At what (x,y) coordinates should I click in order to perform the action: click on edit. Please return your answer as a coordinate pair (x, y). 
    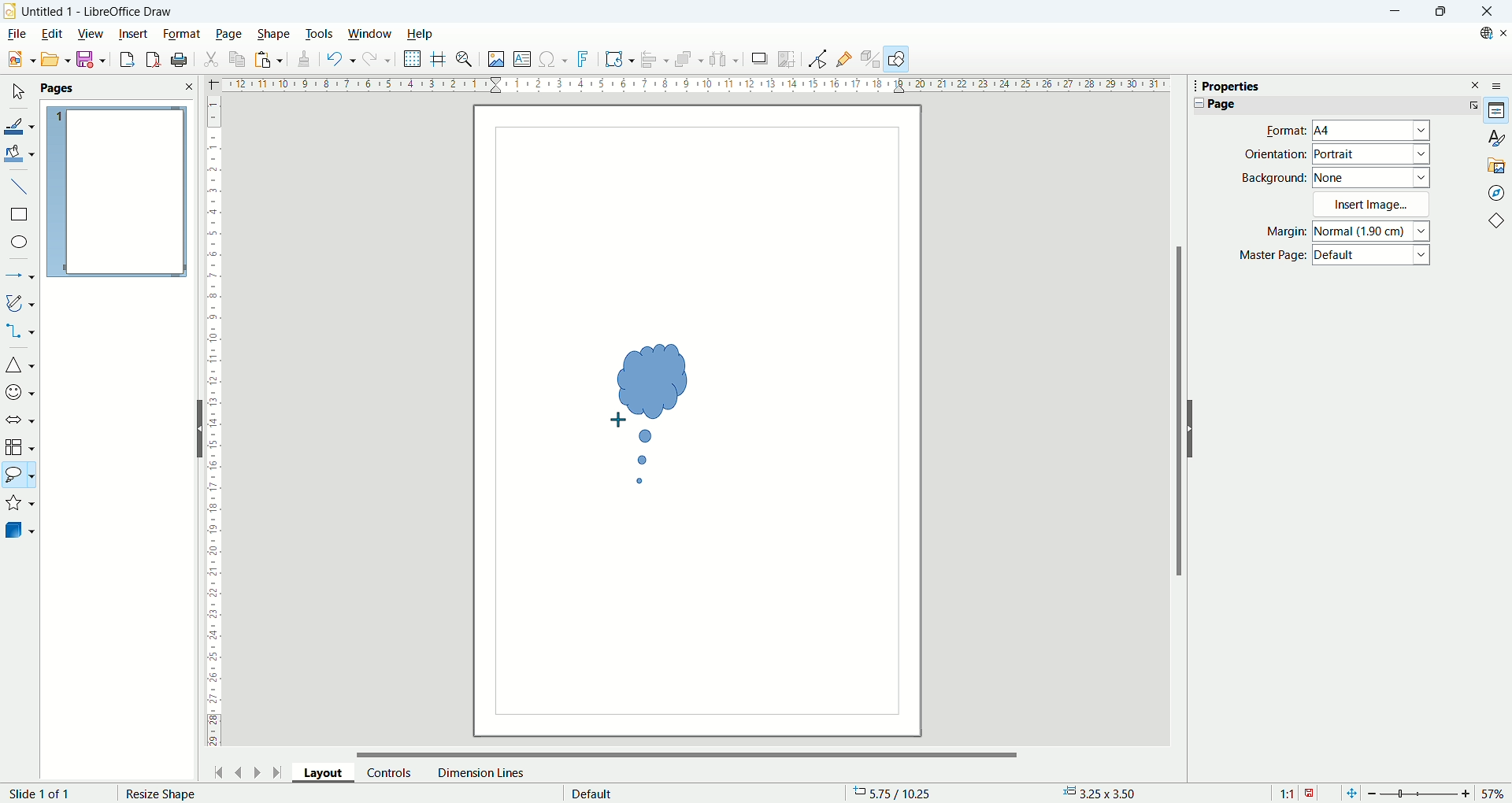
    Looking at the image, I should click on (51, 35).